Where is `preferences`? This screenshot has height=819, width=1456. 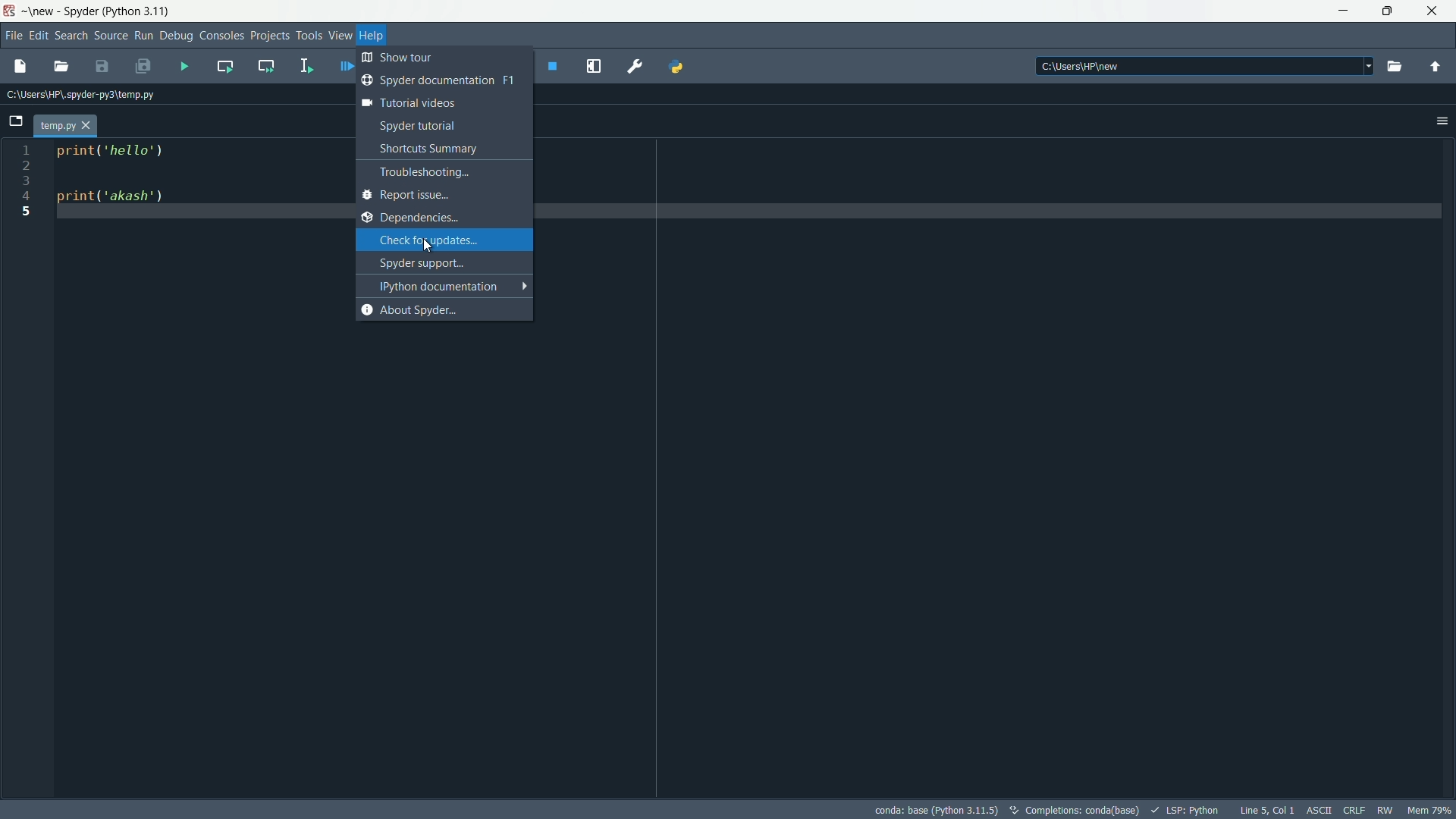
preferences is located at coordinates (635, 66).